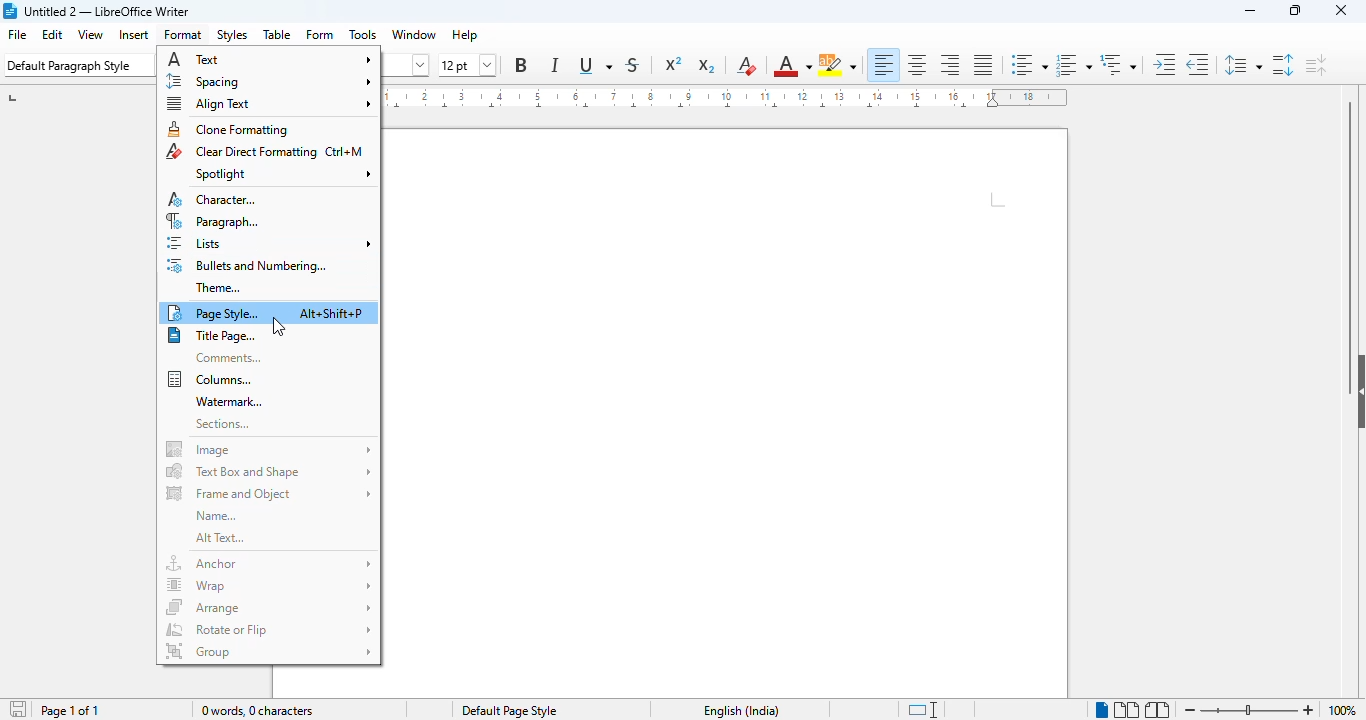 This screenshot has height=720, width=1366. I want to click on increase indent, so click(1165, 65).